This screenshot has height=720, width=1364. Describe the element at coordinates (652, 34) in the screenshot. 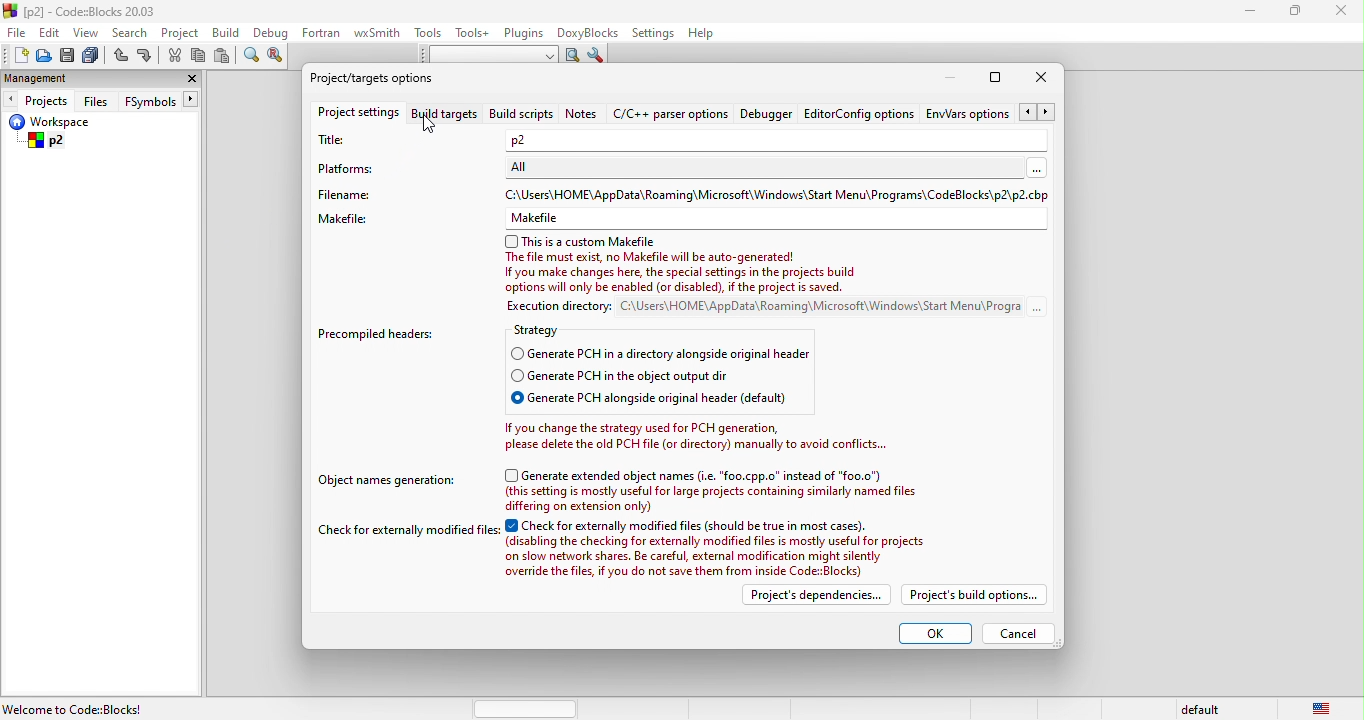

I see `settings` at that location.